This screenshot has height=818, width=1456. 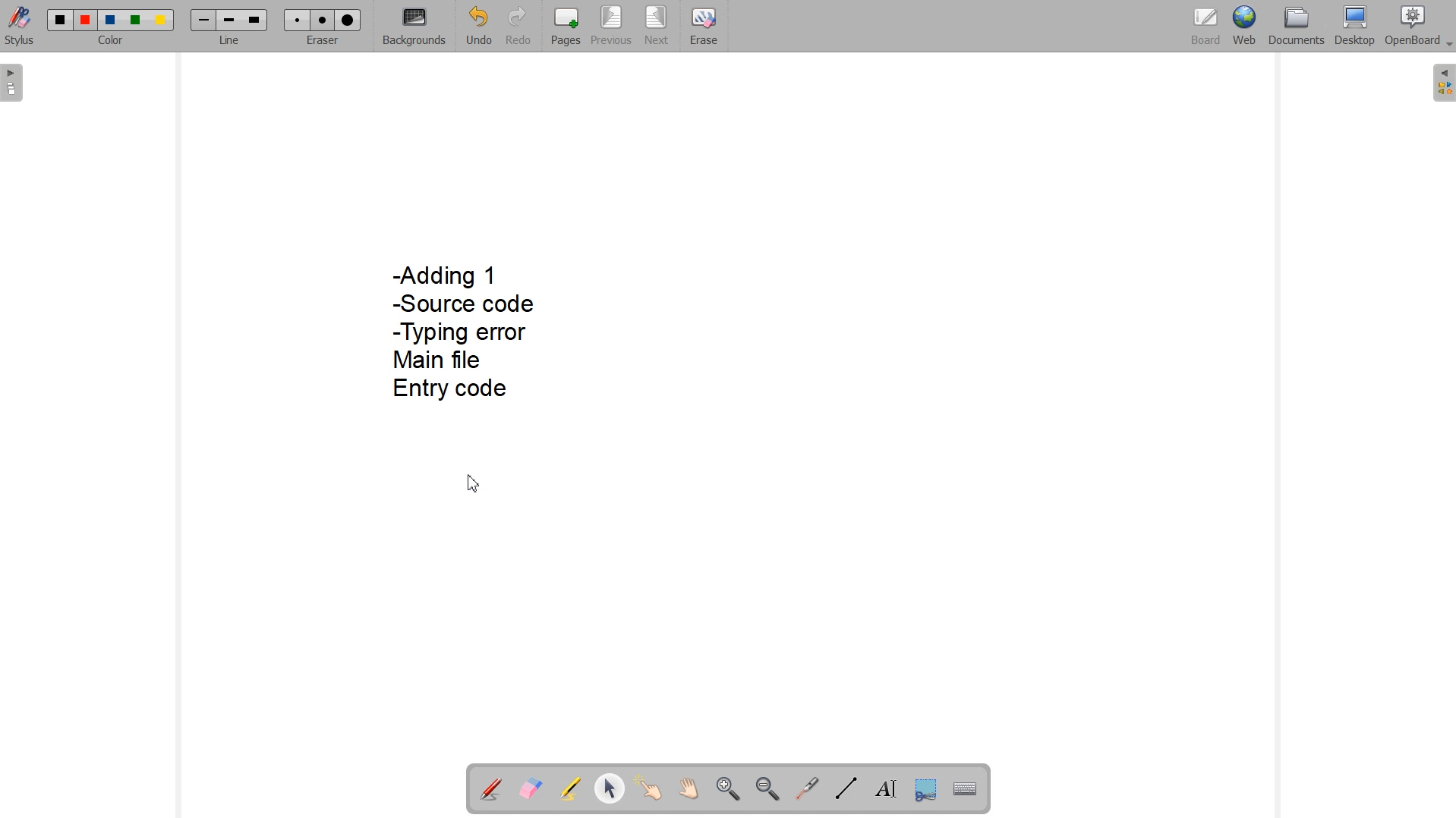 What do you see at coordinates (490, 787) in the screenshot?
I see `Annotation document` at bounding box center [490, 787].